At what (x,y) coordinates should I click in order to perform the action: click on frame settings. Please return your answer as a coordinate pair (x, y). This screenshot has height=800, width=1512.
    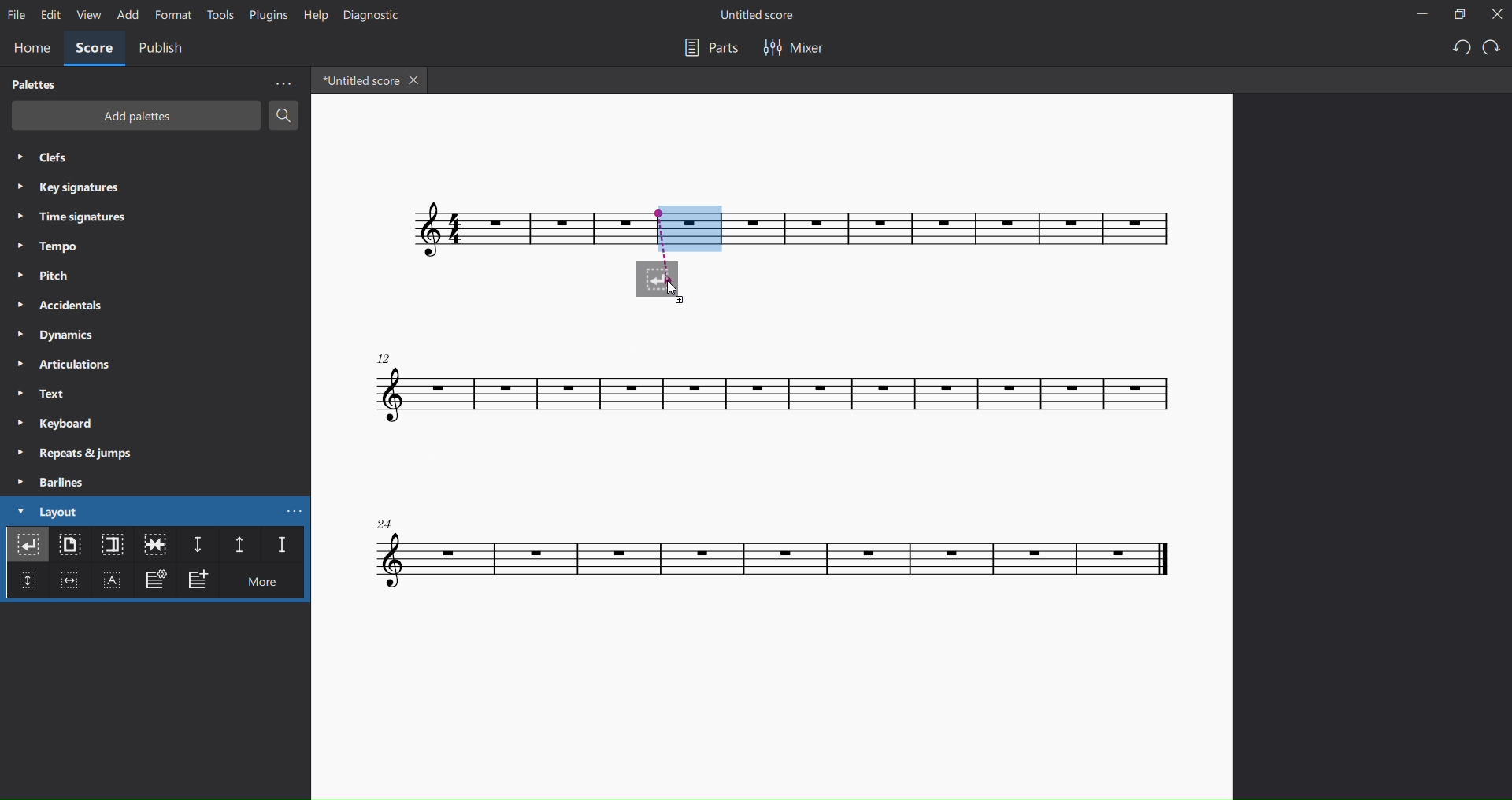
    Looking at the image, I should click on (154, 583).